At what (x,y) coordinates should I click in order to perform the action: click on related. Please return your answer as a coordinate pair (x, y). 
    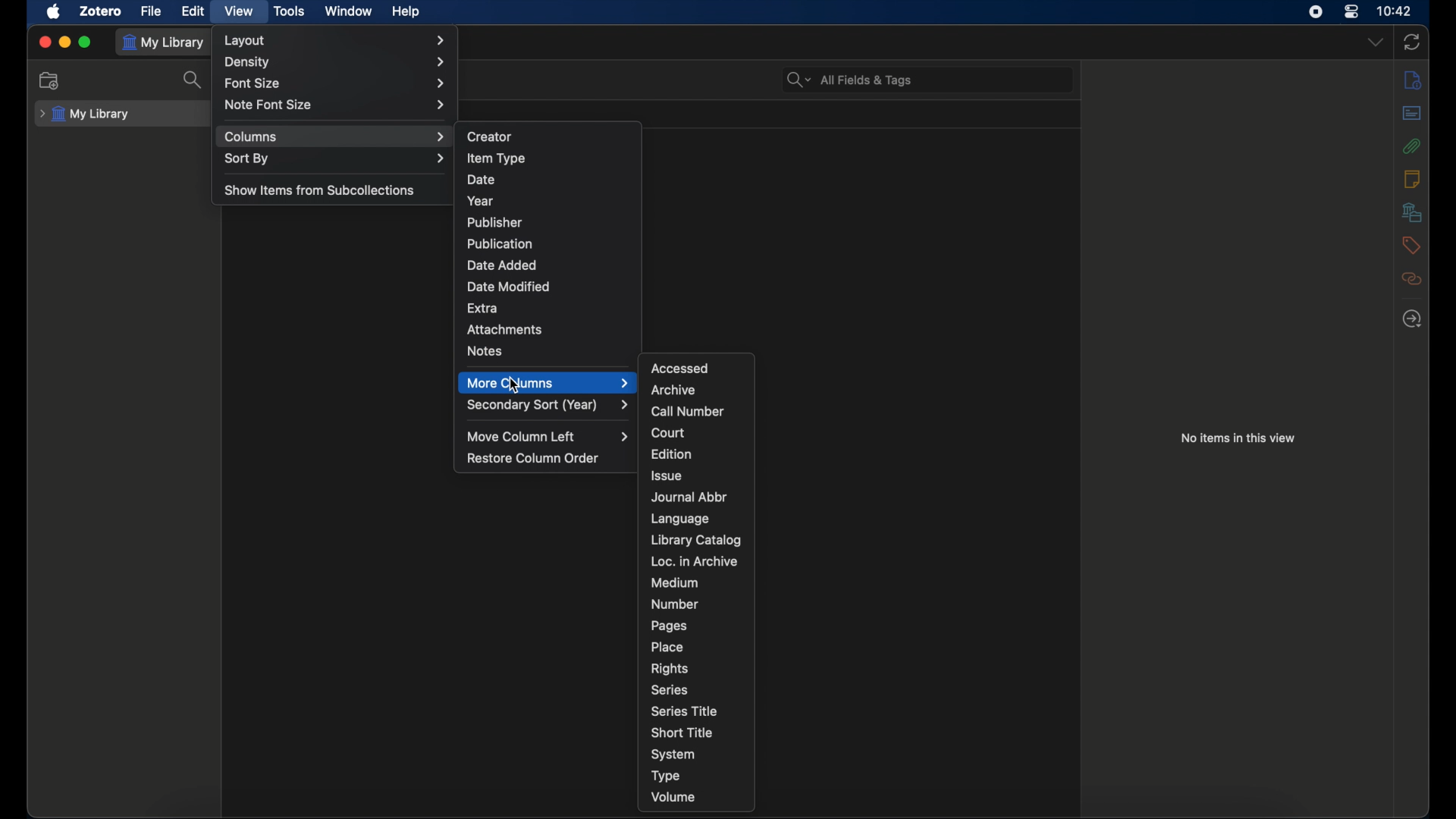
    Looking at the image, I should click on (1411, 278).